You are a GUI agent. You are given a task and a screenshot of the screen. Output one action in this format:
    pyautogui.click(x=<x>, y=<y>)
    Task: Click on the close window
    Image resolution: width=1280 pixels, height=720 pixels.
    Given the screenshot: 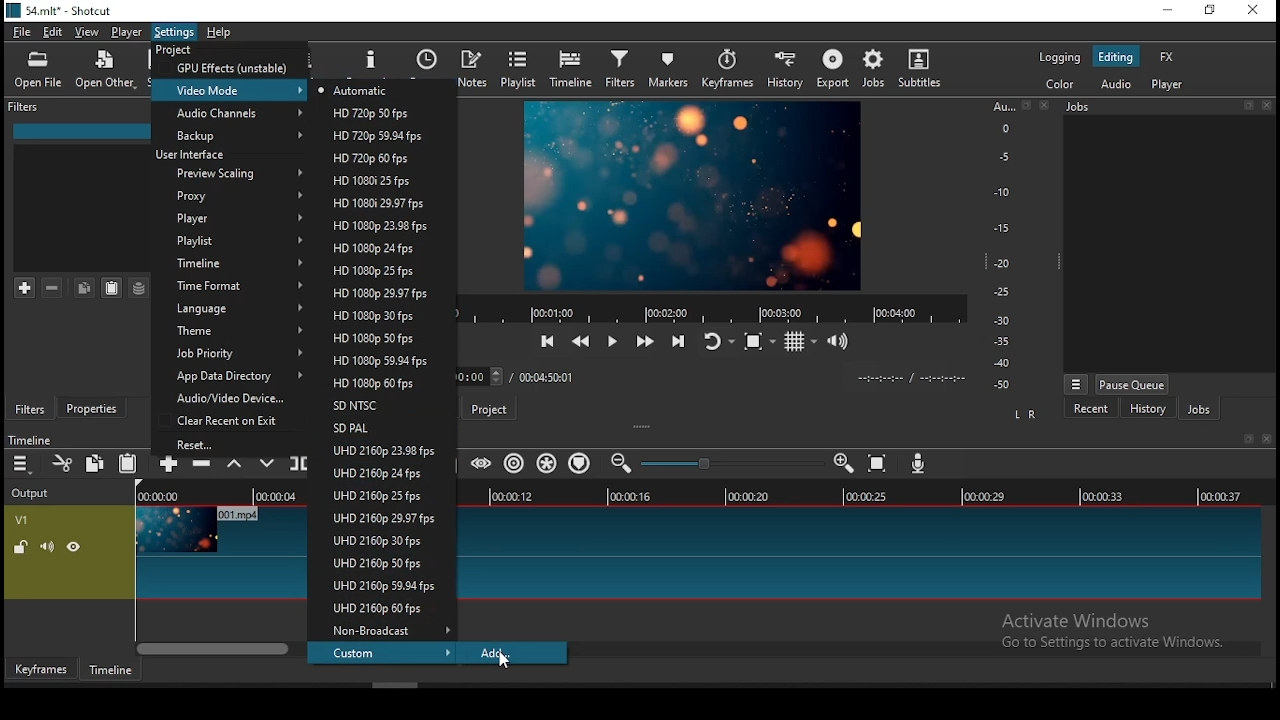 What is the action you would take?
    pyautogui.click(x=1252, y=11)
    